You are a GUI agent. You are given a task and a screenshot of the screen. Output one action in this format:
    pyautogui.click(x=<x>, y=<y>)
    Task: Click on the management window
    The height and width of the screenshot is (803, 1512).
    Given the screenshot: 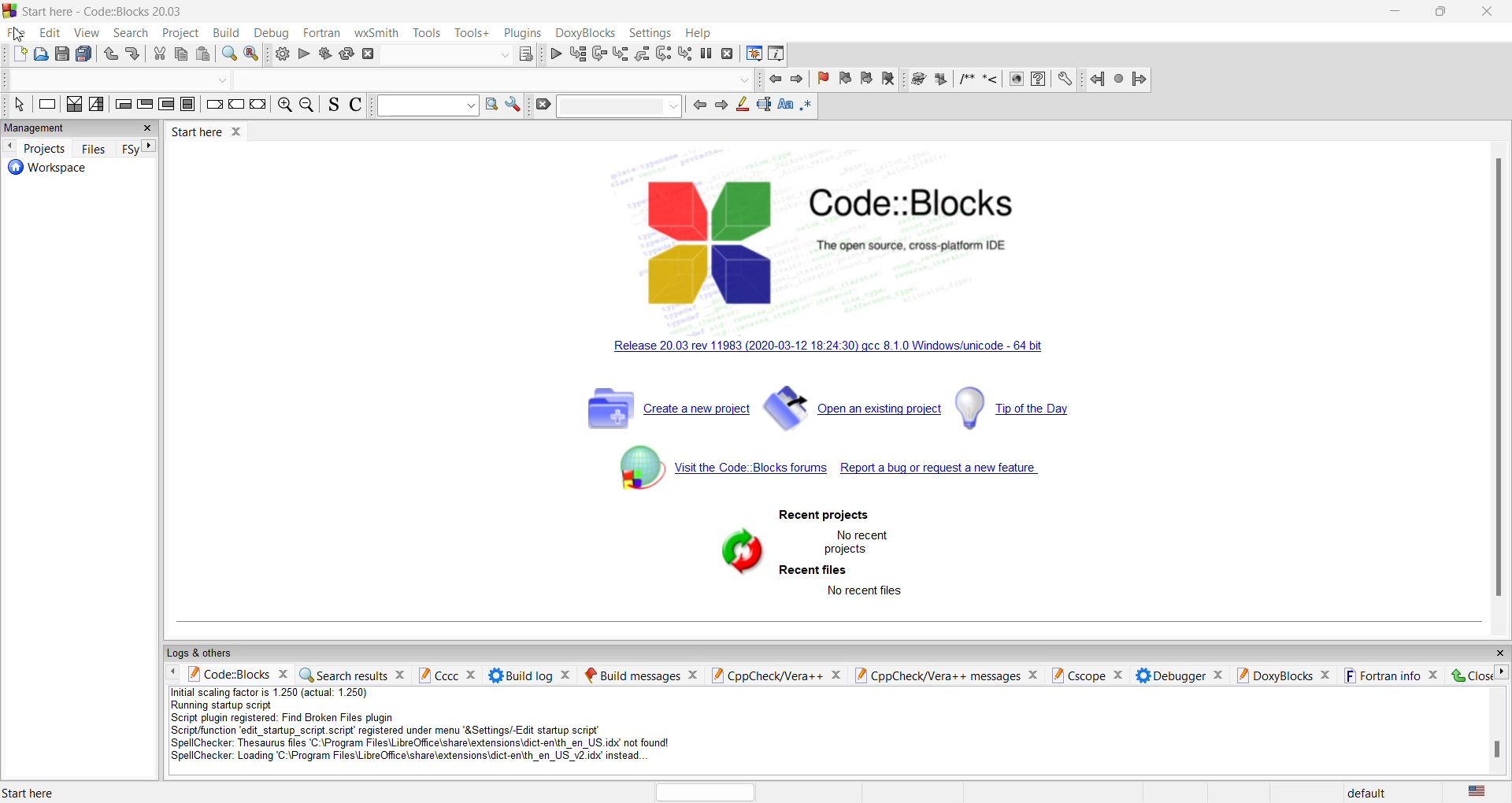 What is the action you would take?
    pyautogui.click(x=82, y=131)
    